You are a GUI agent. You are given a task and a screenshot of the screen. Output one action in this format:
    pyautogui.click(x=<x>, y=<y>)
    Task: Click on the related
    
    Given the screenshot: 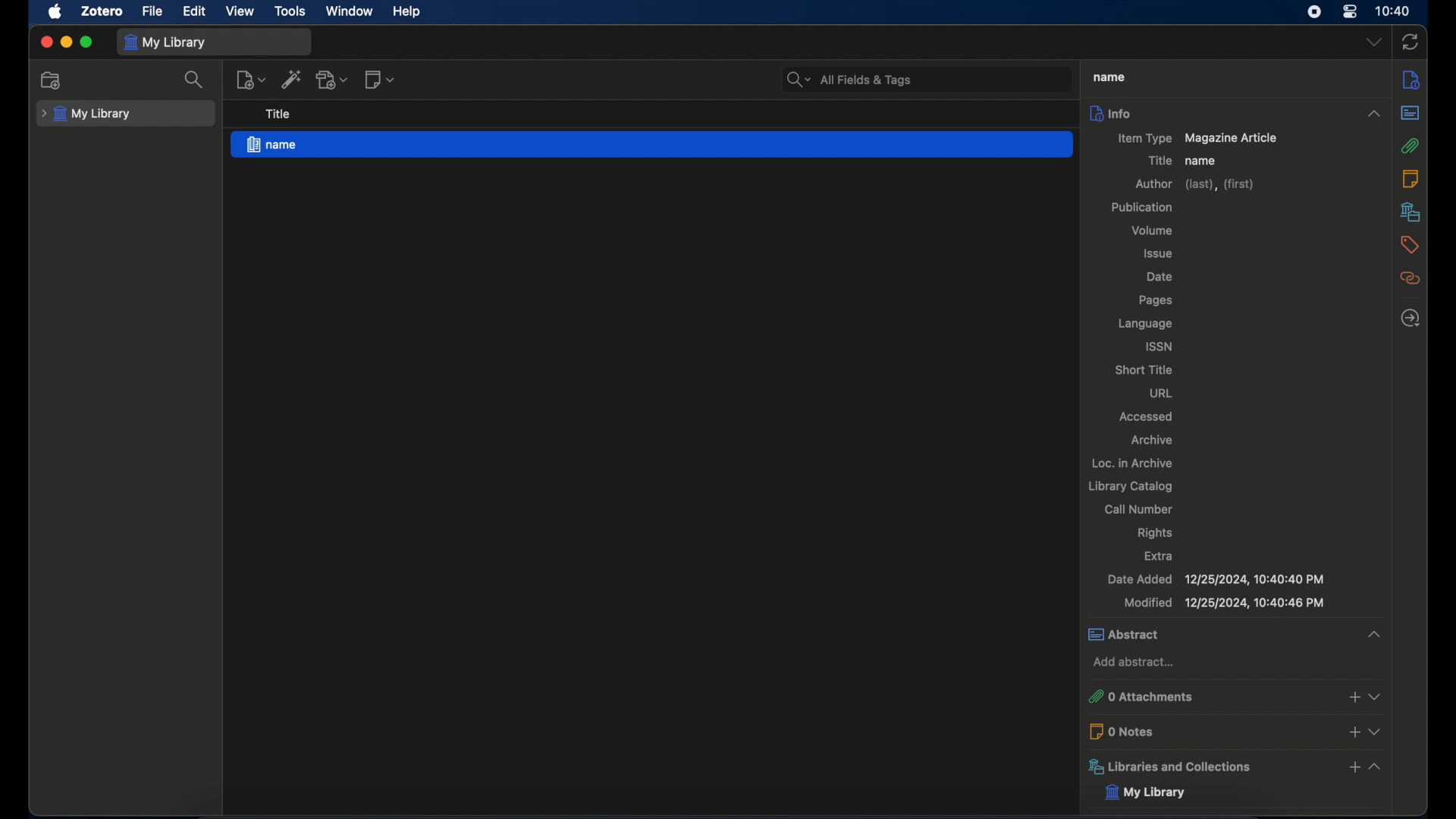 What is the action you would take?
    pyautogui.click(x=1410, y=278)
    